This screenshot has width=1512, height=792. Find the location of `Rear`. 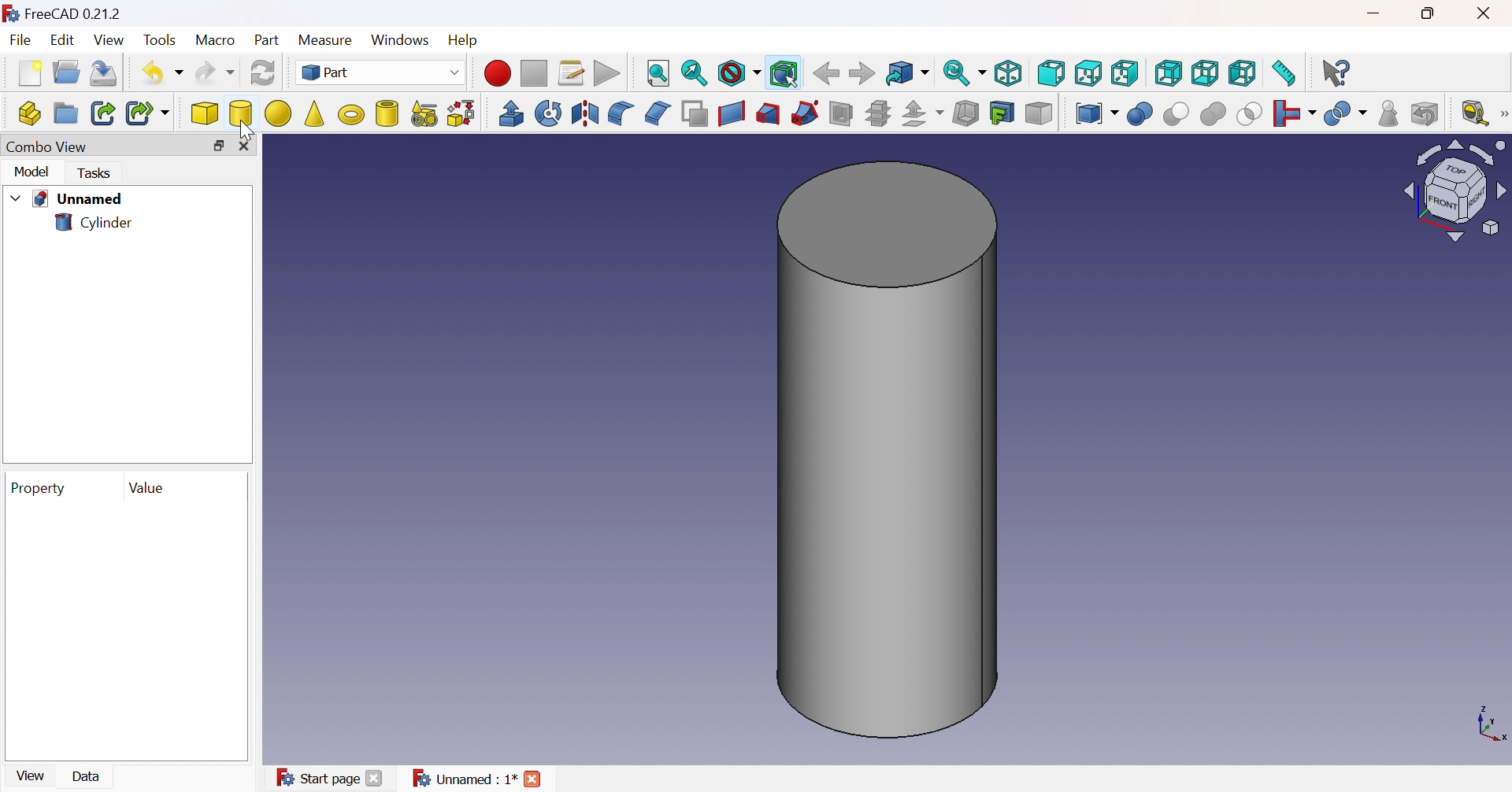

Rear is located at coordinates (1167, 73).